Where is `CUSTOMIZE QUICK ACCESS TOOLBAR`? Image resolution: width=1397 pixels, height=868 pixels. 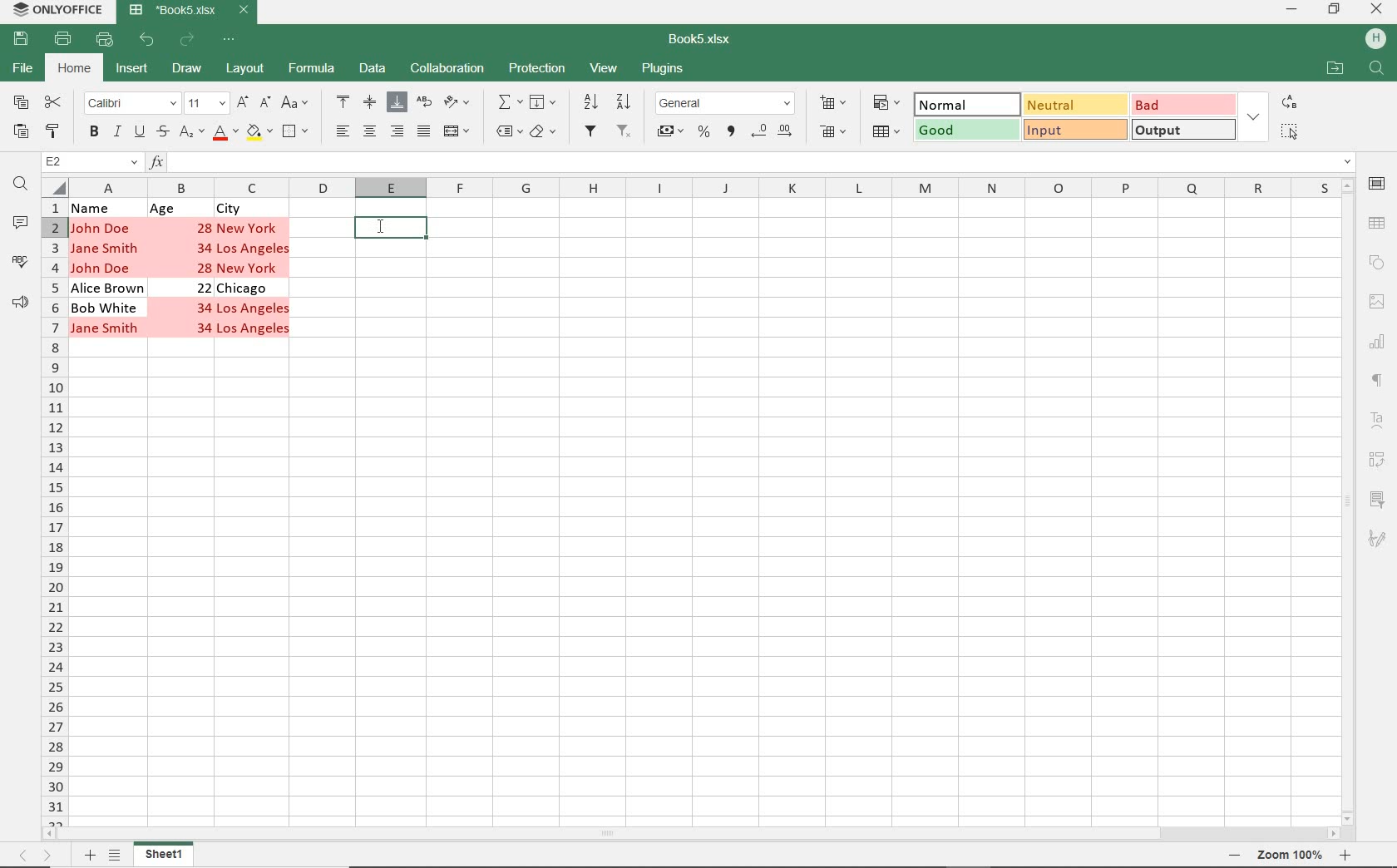
CUSTOMIZE QUICK ACCESS TOOLBAR is located at coordinates (230, 40).